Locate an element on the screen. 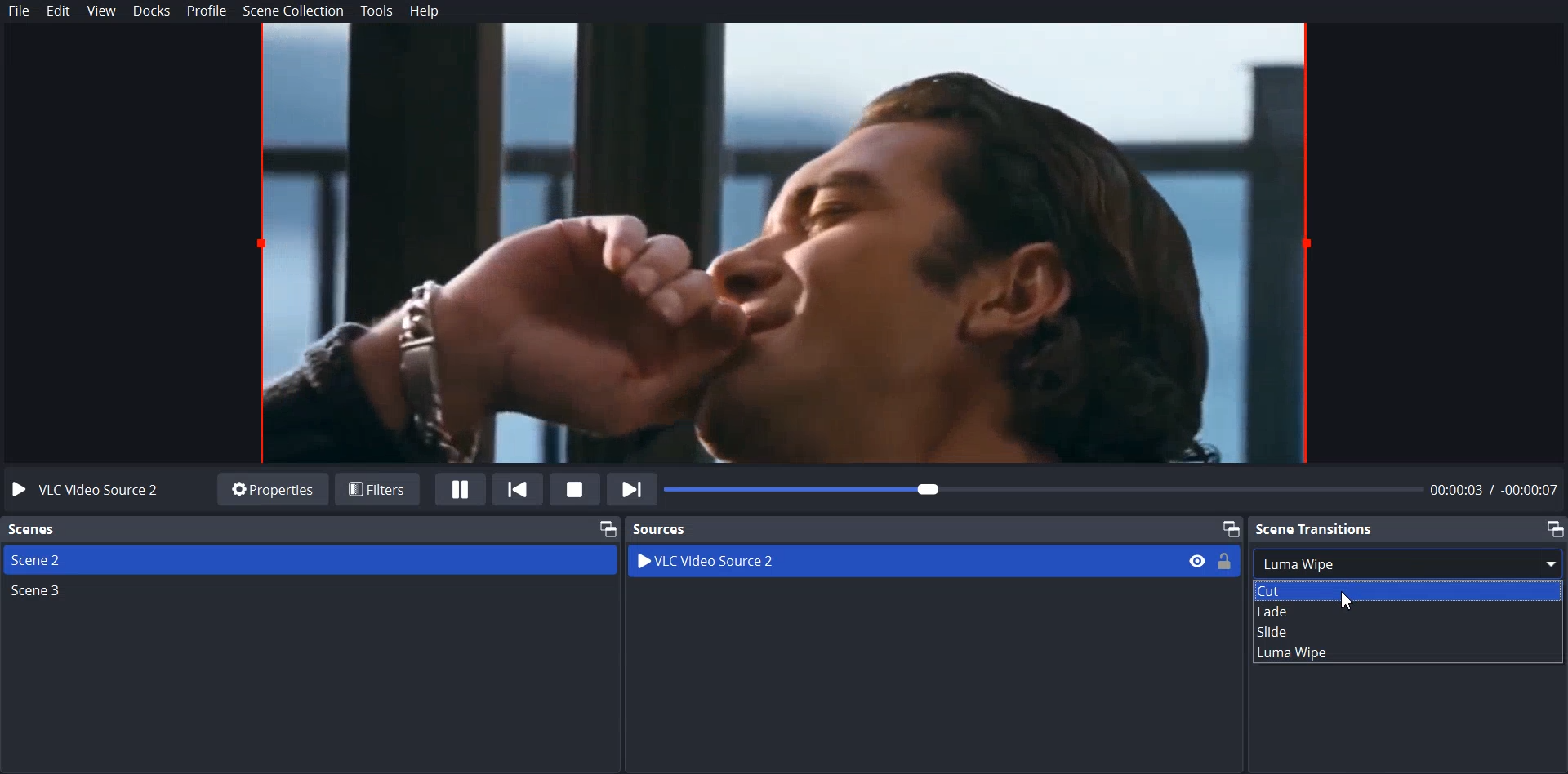 This screenshot has width=1568, height=774. Source 3 is located at coordinates (310, 594).